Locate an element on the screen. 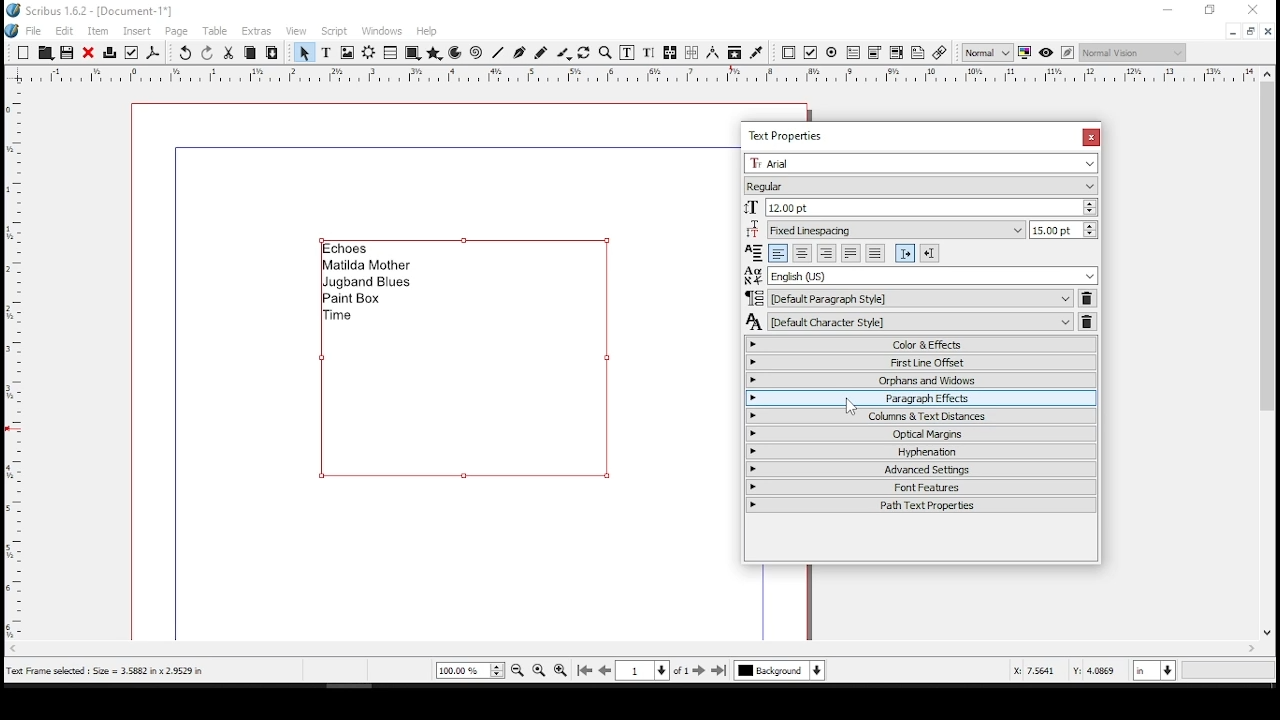 Image resolution: width=1280 pixels, height=720 pixels. arc is located at coordinates (456, 53).